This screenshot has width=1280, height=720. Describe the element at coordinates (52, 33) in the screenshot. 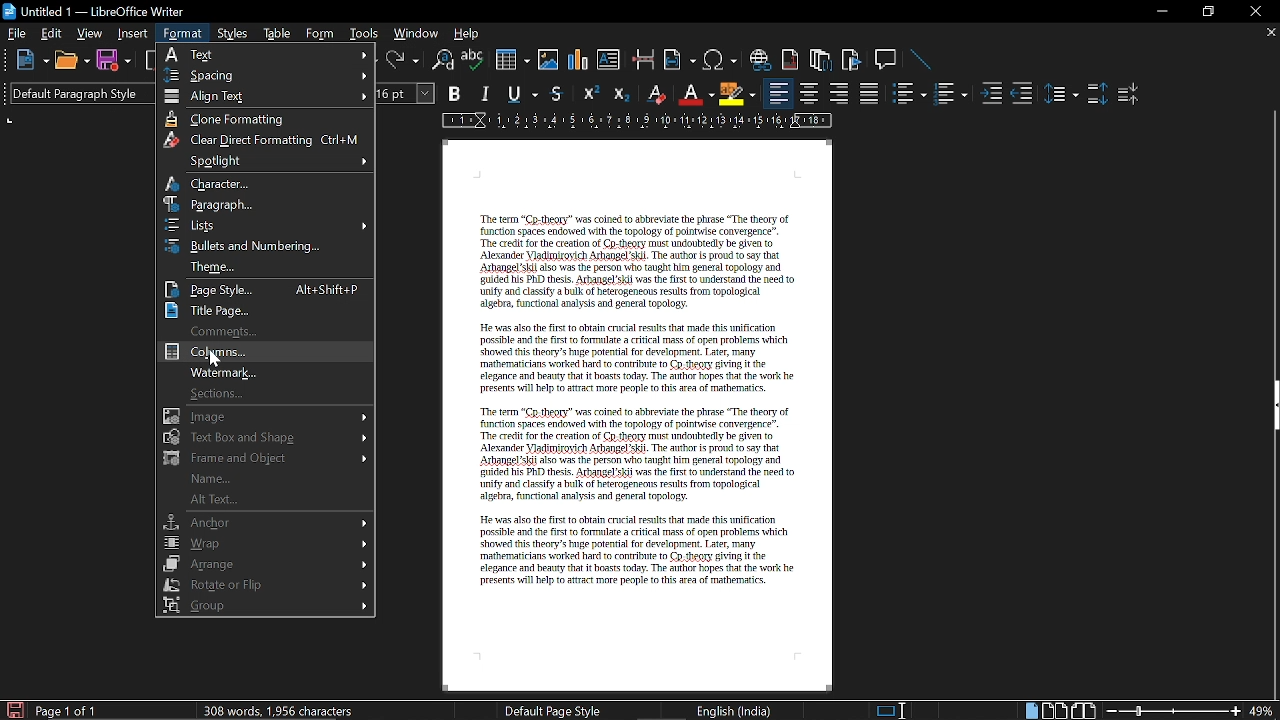

I see `Edit` at that location.